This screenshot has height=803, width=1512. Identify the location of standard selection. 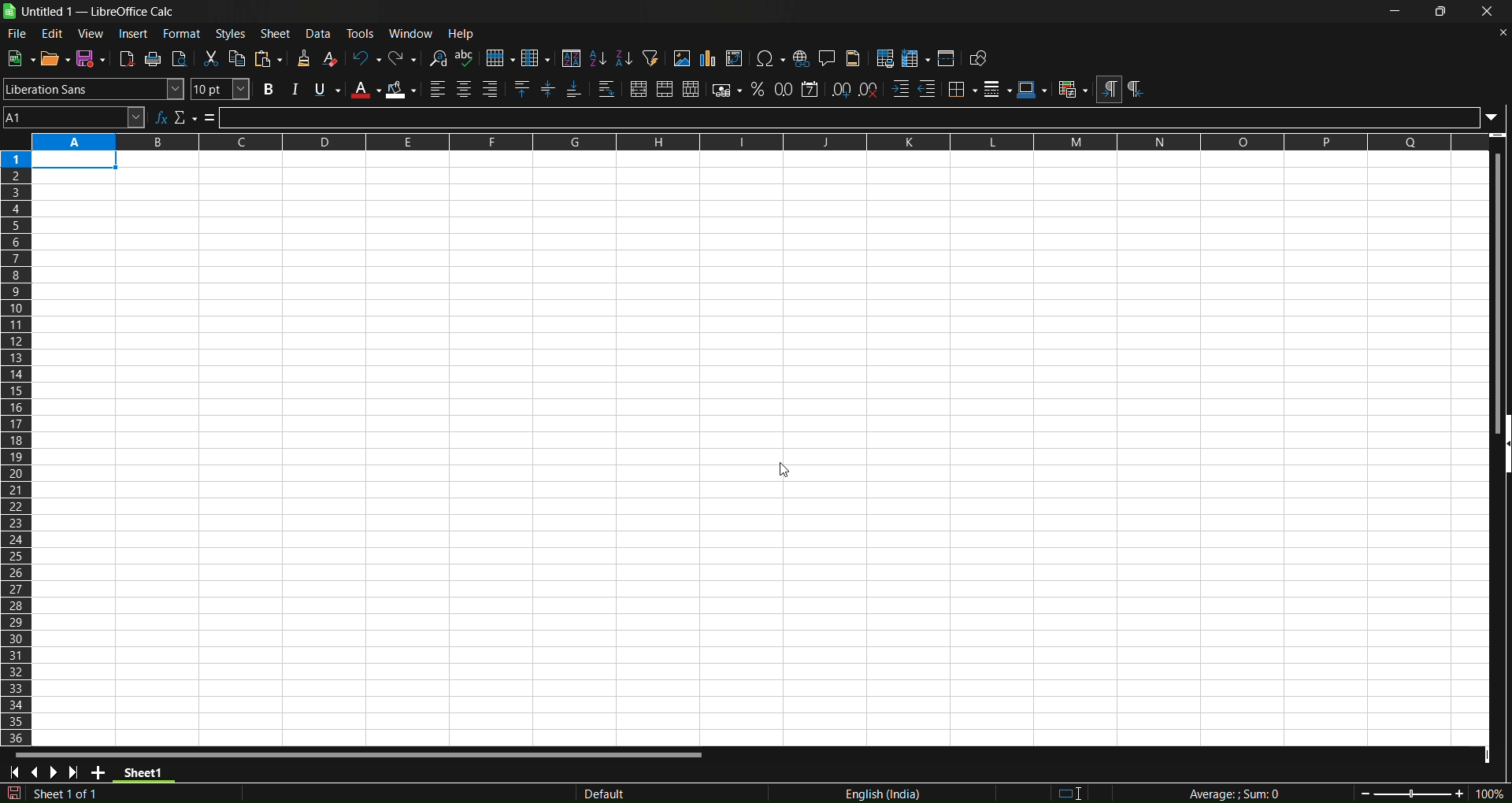
(1080, 791).